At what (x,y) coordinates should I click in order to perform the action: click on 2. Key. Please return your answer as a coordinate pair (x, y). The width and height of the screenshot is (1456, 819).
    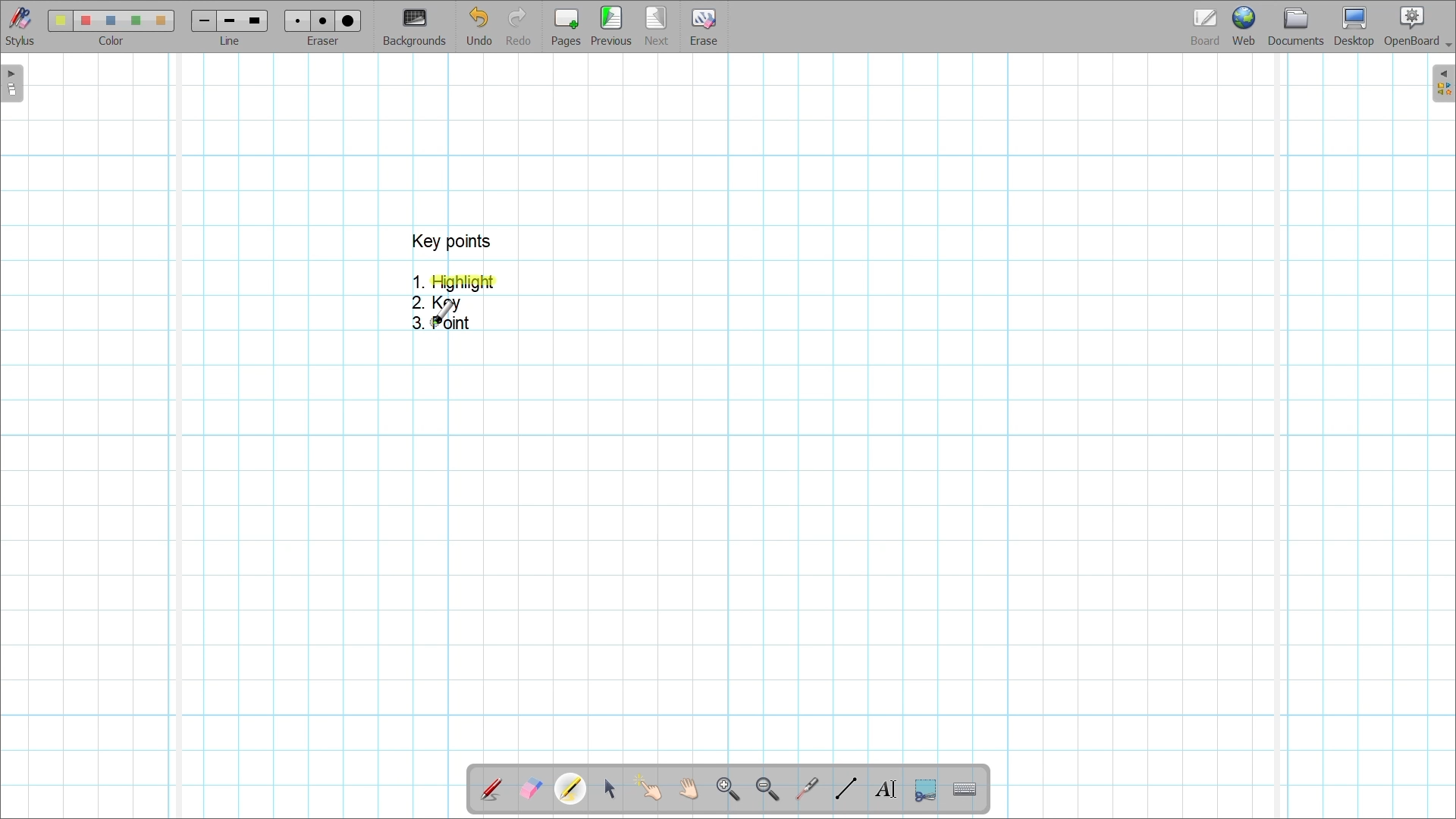
    Looking at the image, I should click on (438, 303).